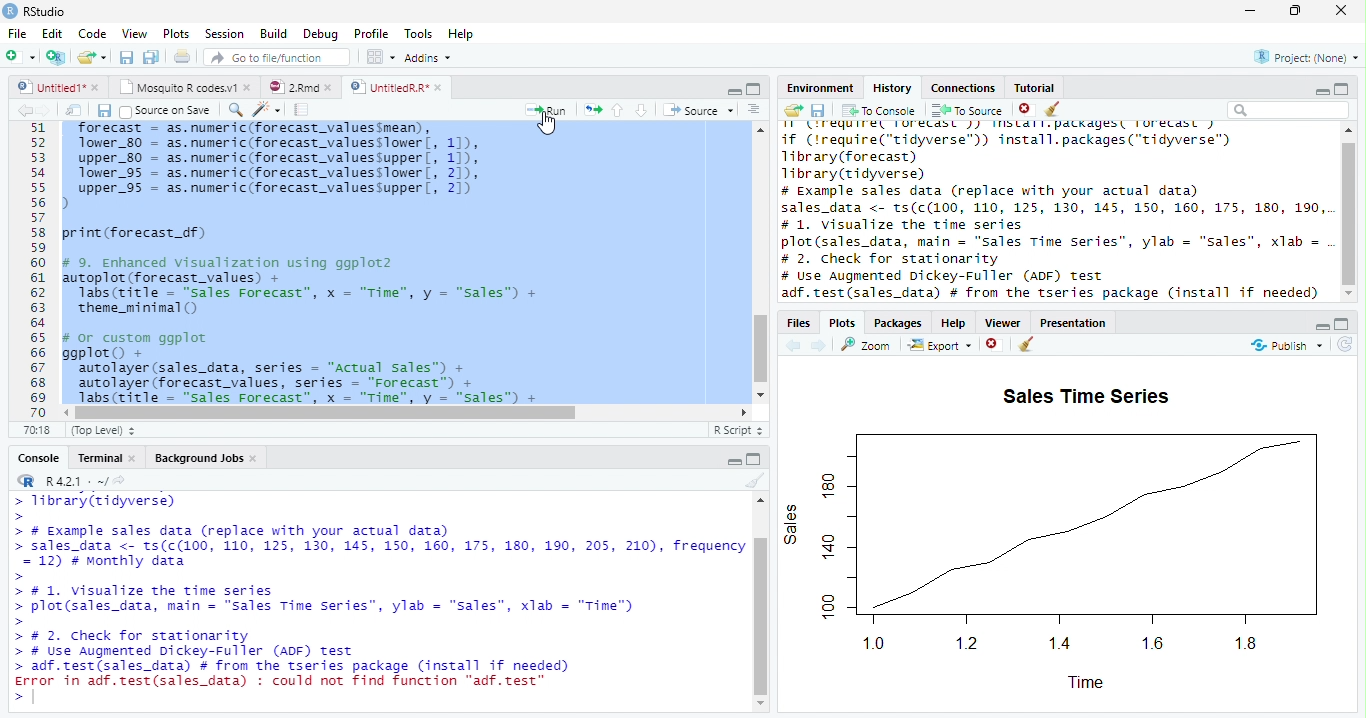  I want to click on To Console, so click(880, 111).